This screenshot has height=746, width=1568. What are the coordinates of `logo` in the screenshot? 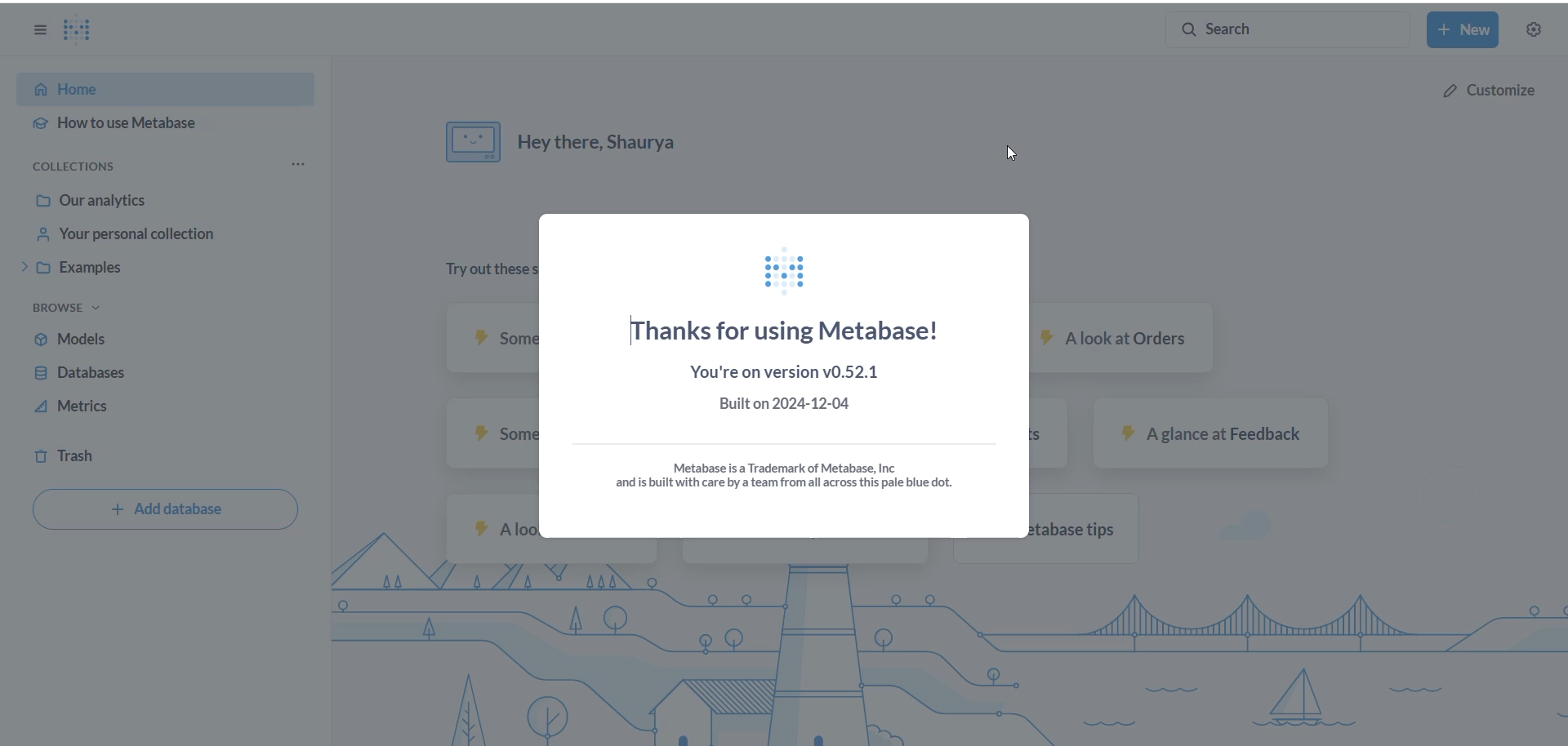 It's located at (787, 267).